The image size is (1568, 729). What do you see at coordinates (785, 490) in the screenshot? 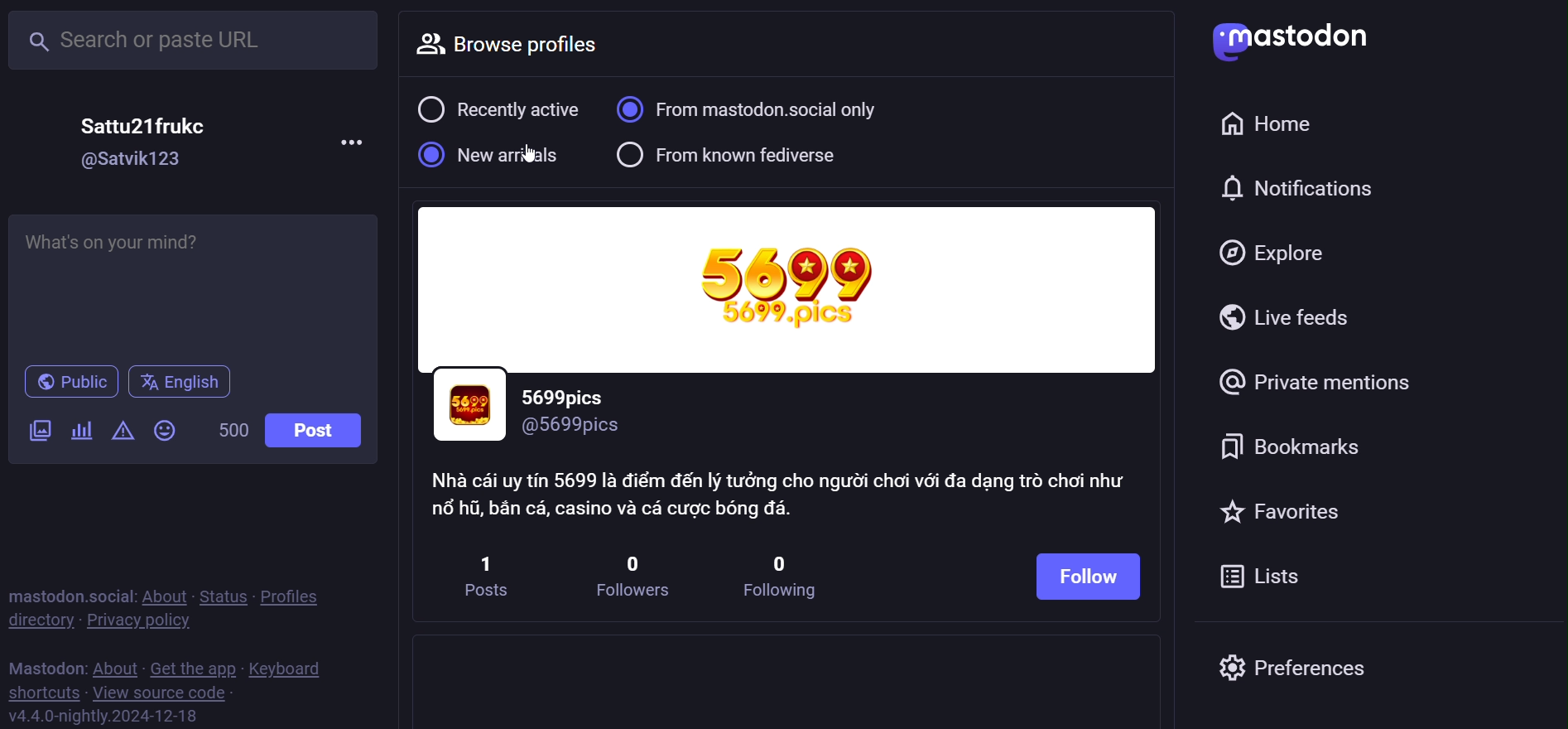
I see `Nha cai uy tin 5699 la diém dén ly tudng cho ngudi choi véi da dang trd choi nhu
nd hil, ban c4, casino va ca cugc bong da.` at bounding box center [785, 490].